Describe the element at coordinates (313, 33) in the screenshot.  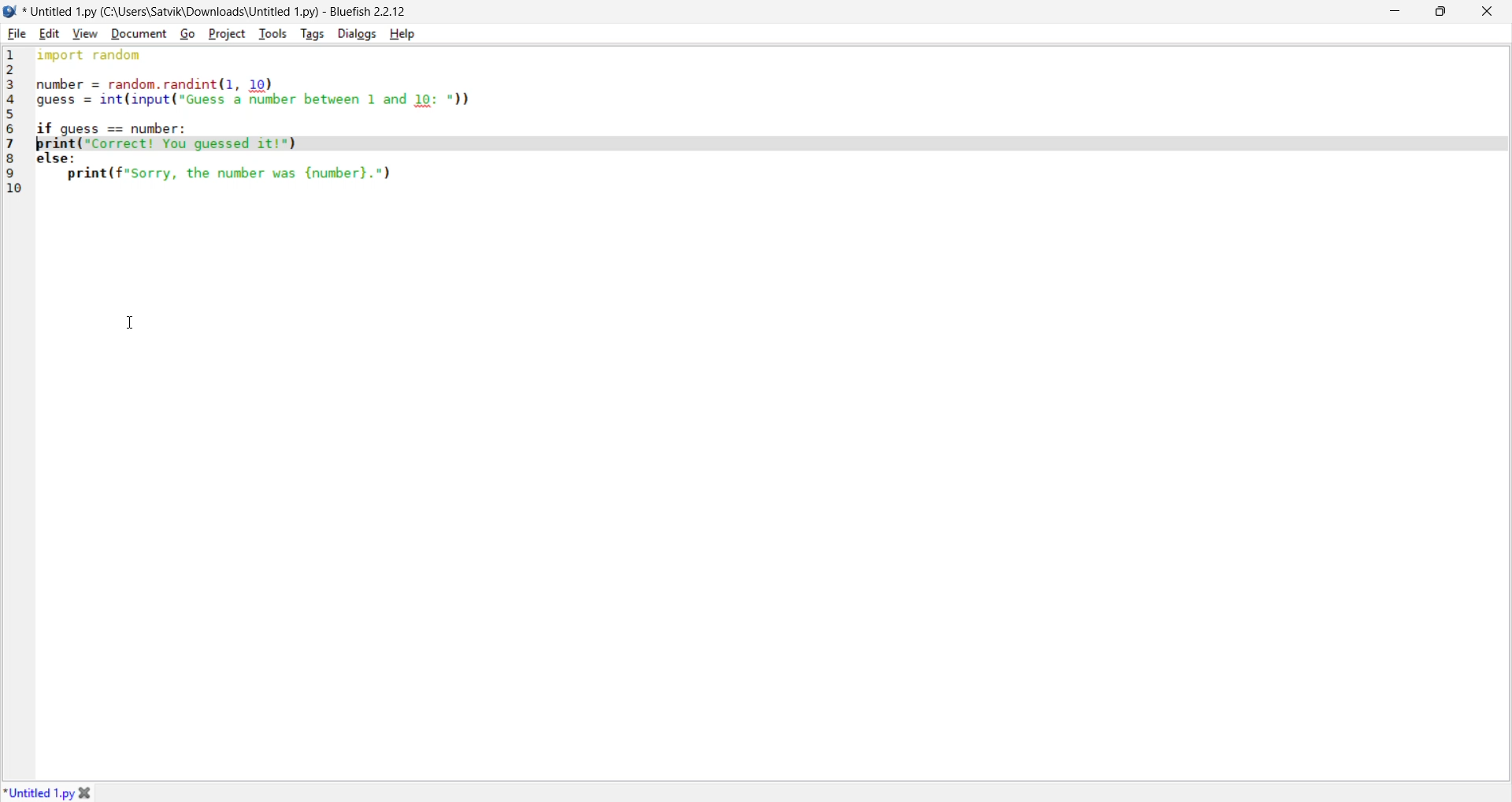
I see `tags` at that location.